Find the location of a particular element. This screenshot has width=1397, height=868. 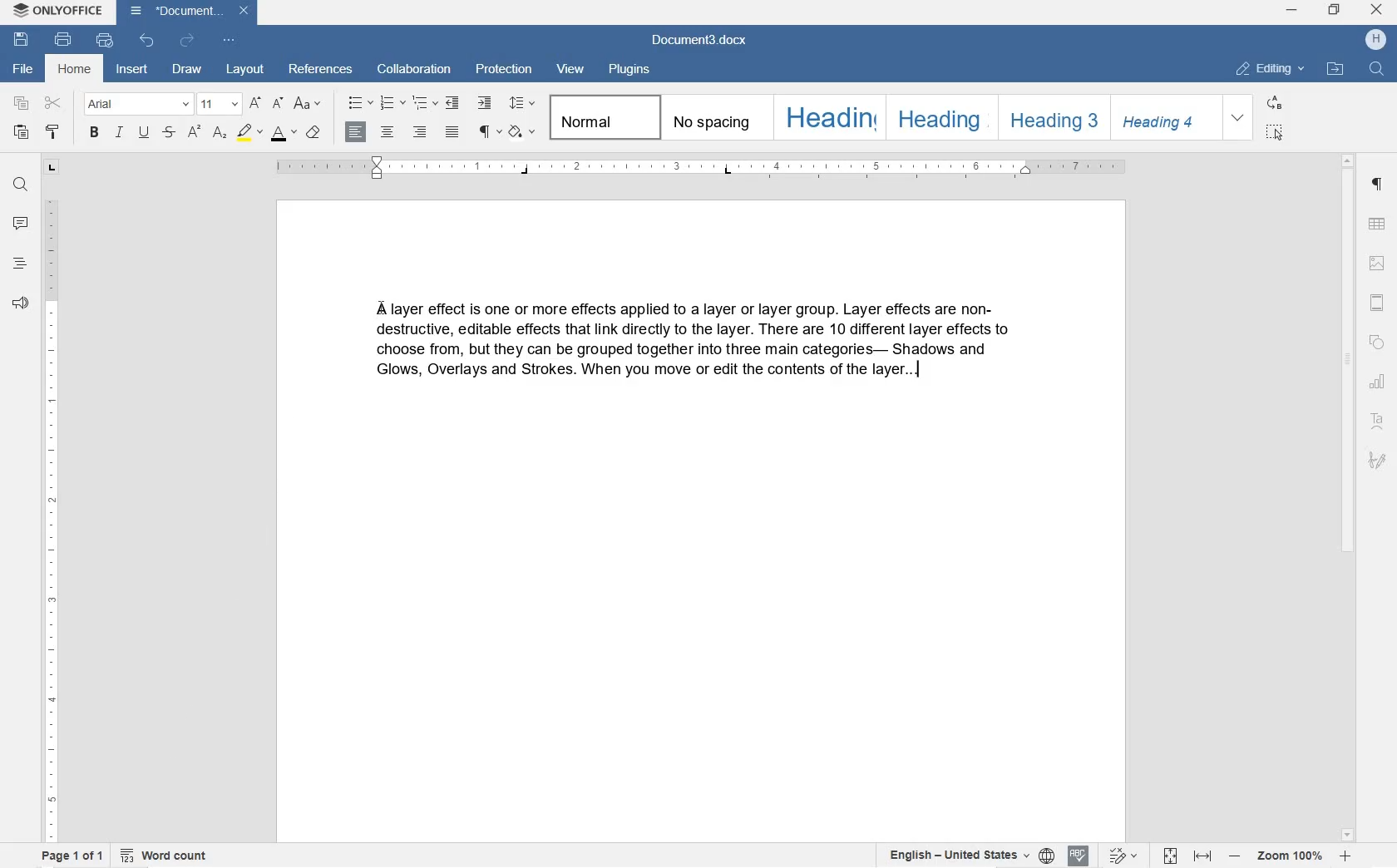

SUPERSCRIPT is located at coordinates (219, 137).